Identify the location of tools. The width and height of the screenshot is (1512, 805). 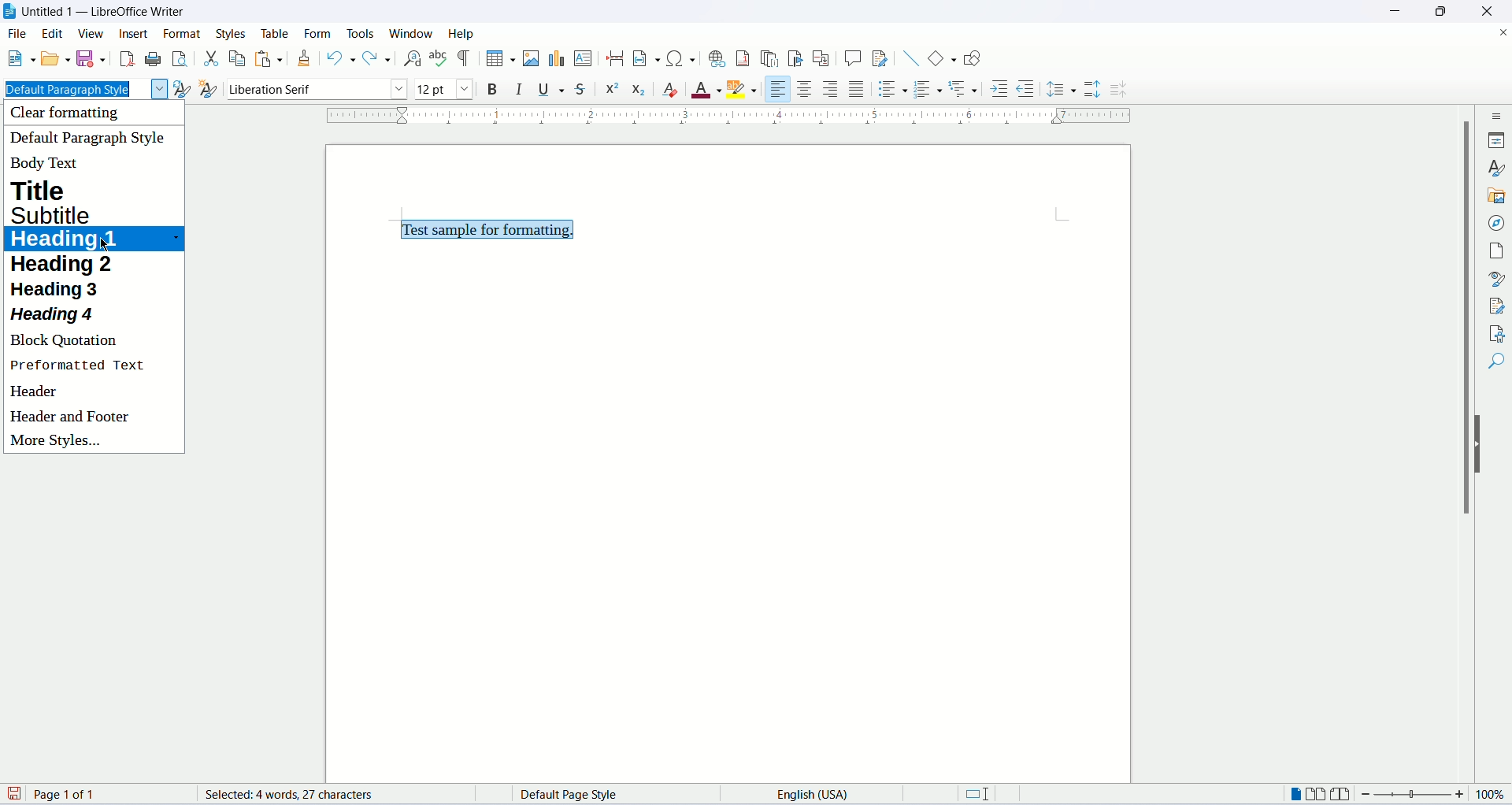
(361, 31).